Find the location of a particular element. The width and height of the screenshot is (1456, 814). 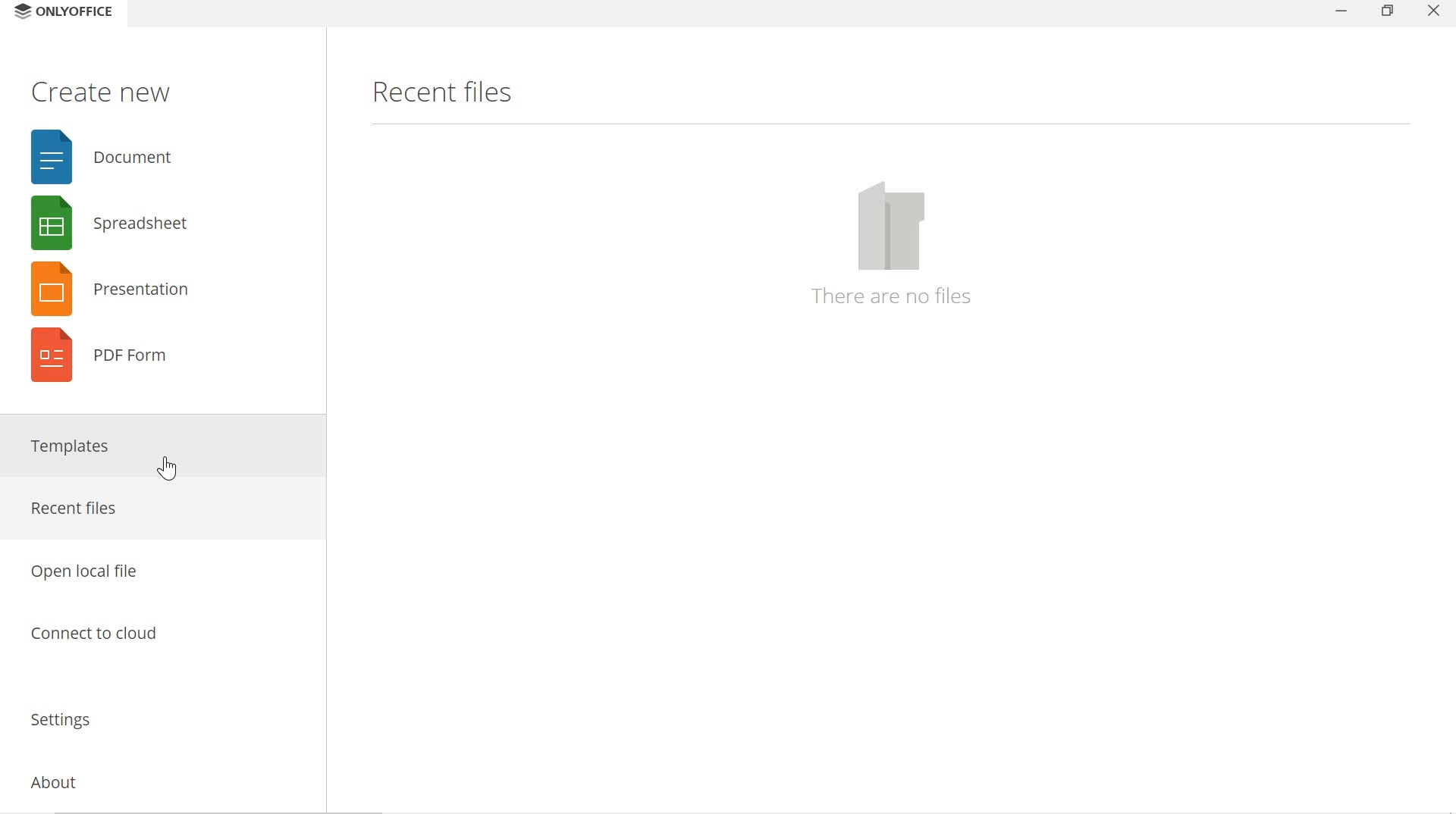

files icon is located at coordinates (893, 226).